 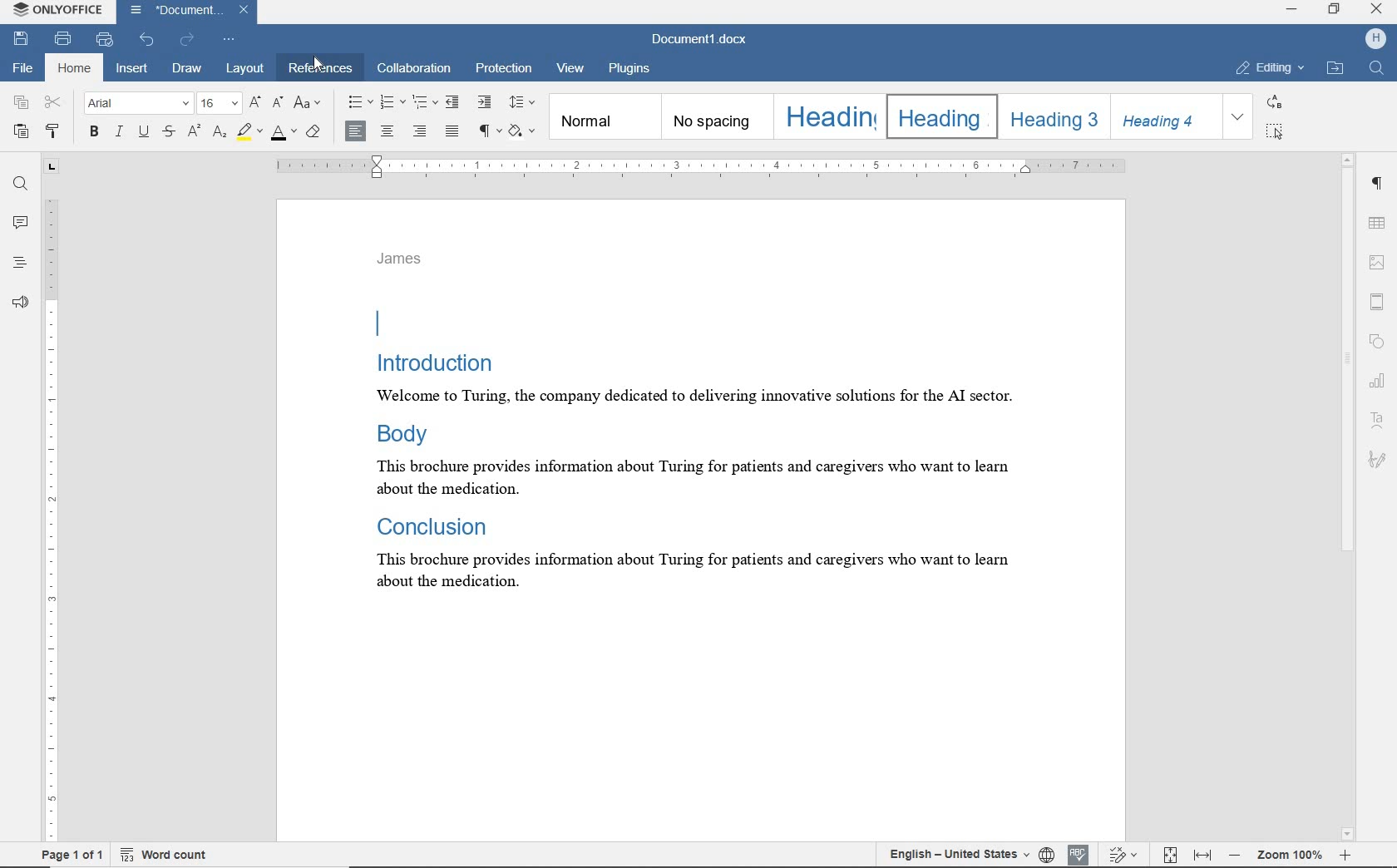 What do you see at coordinates (1375, 39) in the screenshot?
I see `HP` at bounding box center [1375, 39].